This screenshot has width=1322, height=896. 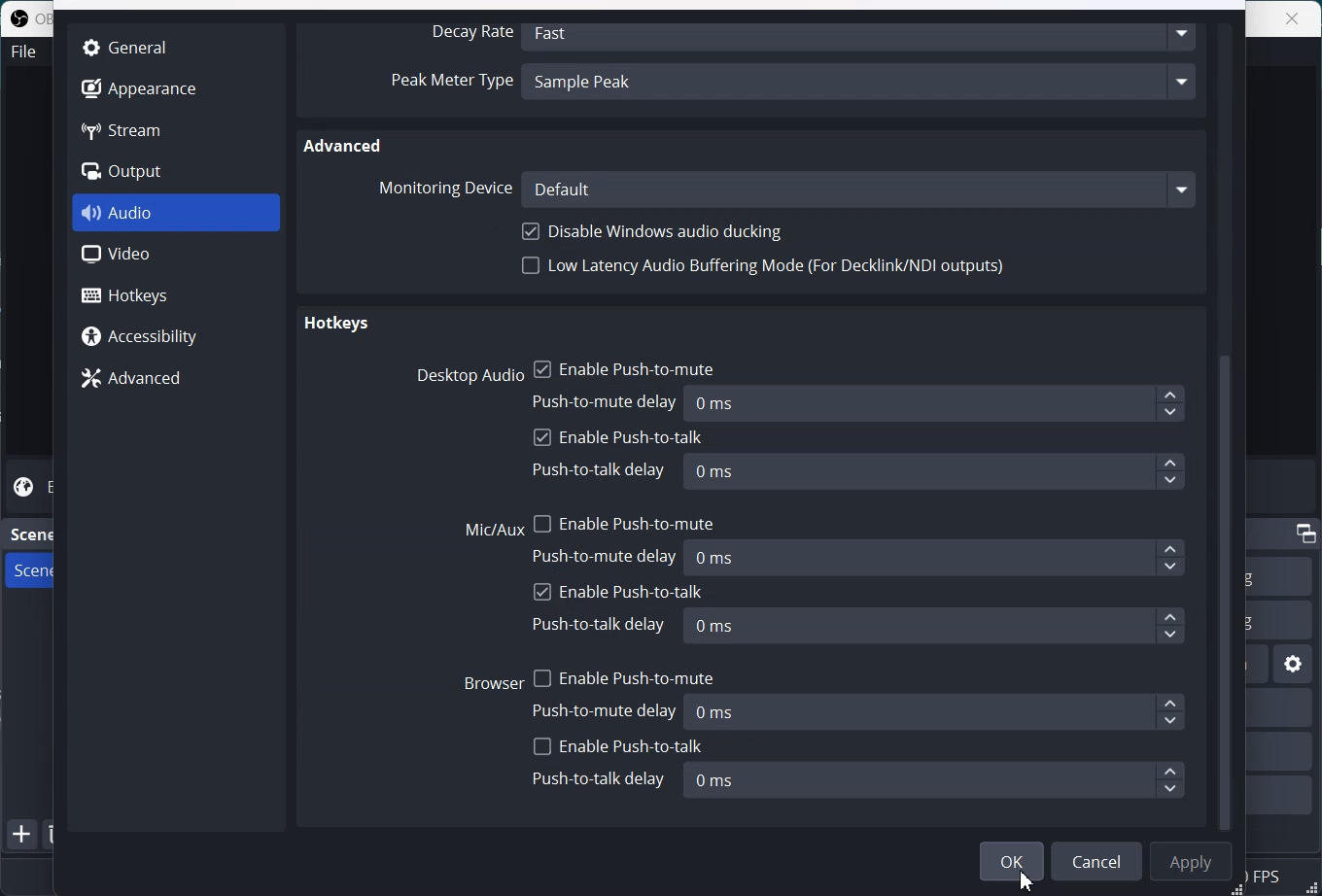 I want to click on 0 ms, so click(x=937, y=404).